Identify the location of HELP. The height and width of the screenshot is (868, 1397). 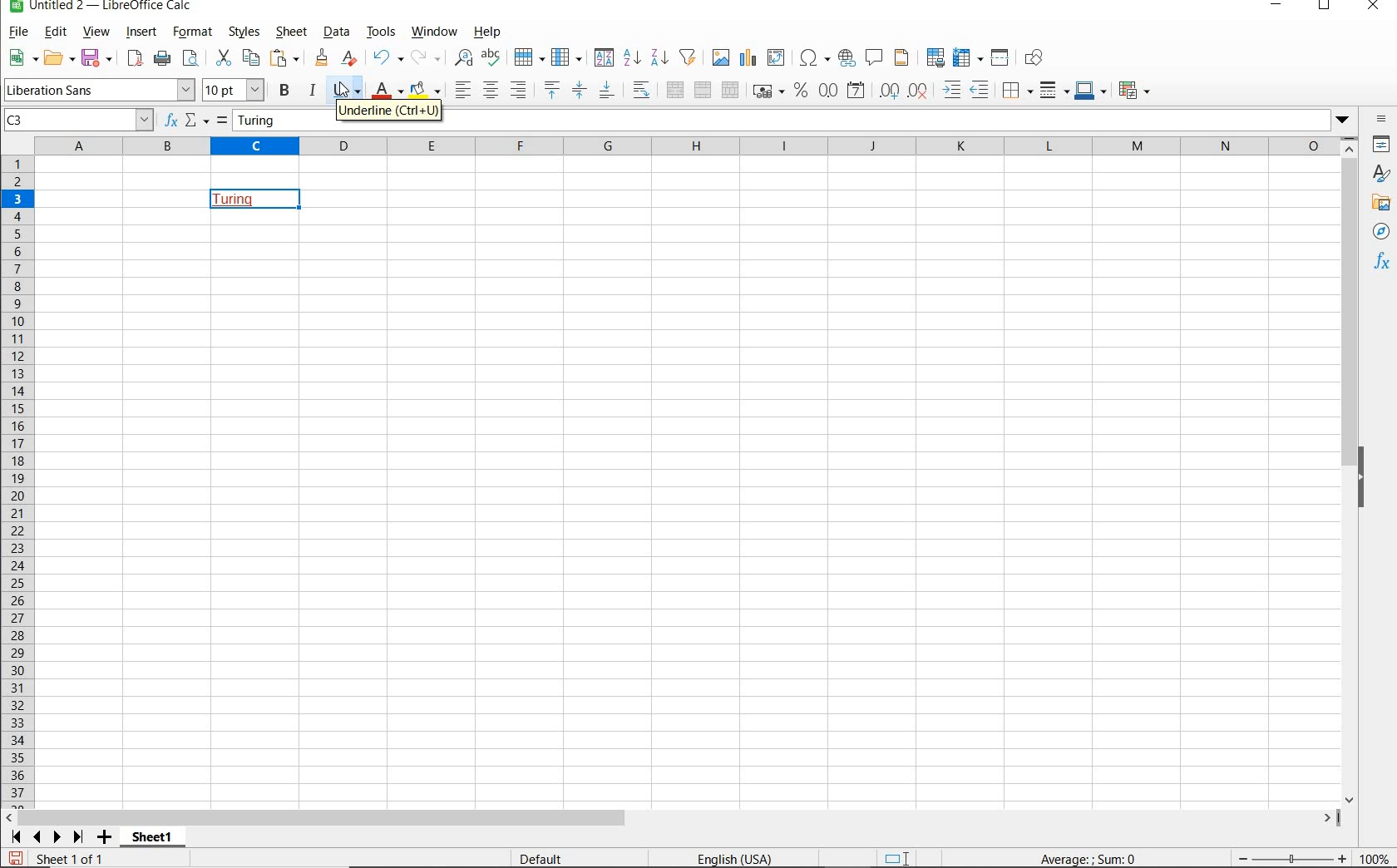
(487, 34).